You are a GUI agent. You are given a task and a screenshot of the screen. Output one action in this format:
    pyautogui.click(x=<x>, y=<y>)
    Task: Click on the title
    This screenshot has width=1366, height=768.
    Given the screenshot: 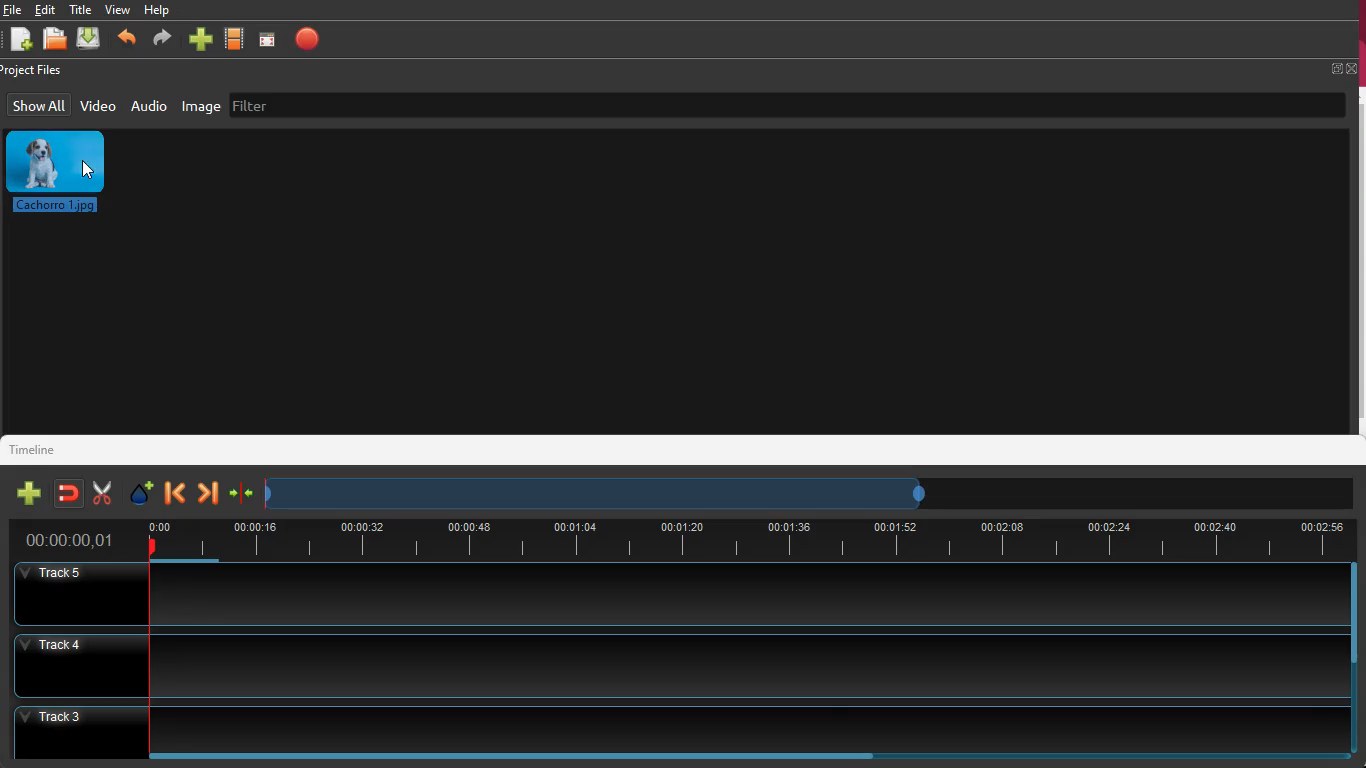 What is the action you would take?
    pyautogui.click(x=81, y=9)
    